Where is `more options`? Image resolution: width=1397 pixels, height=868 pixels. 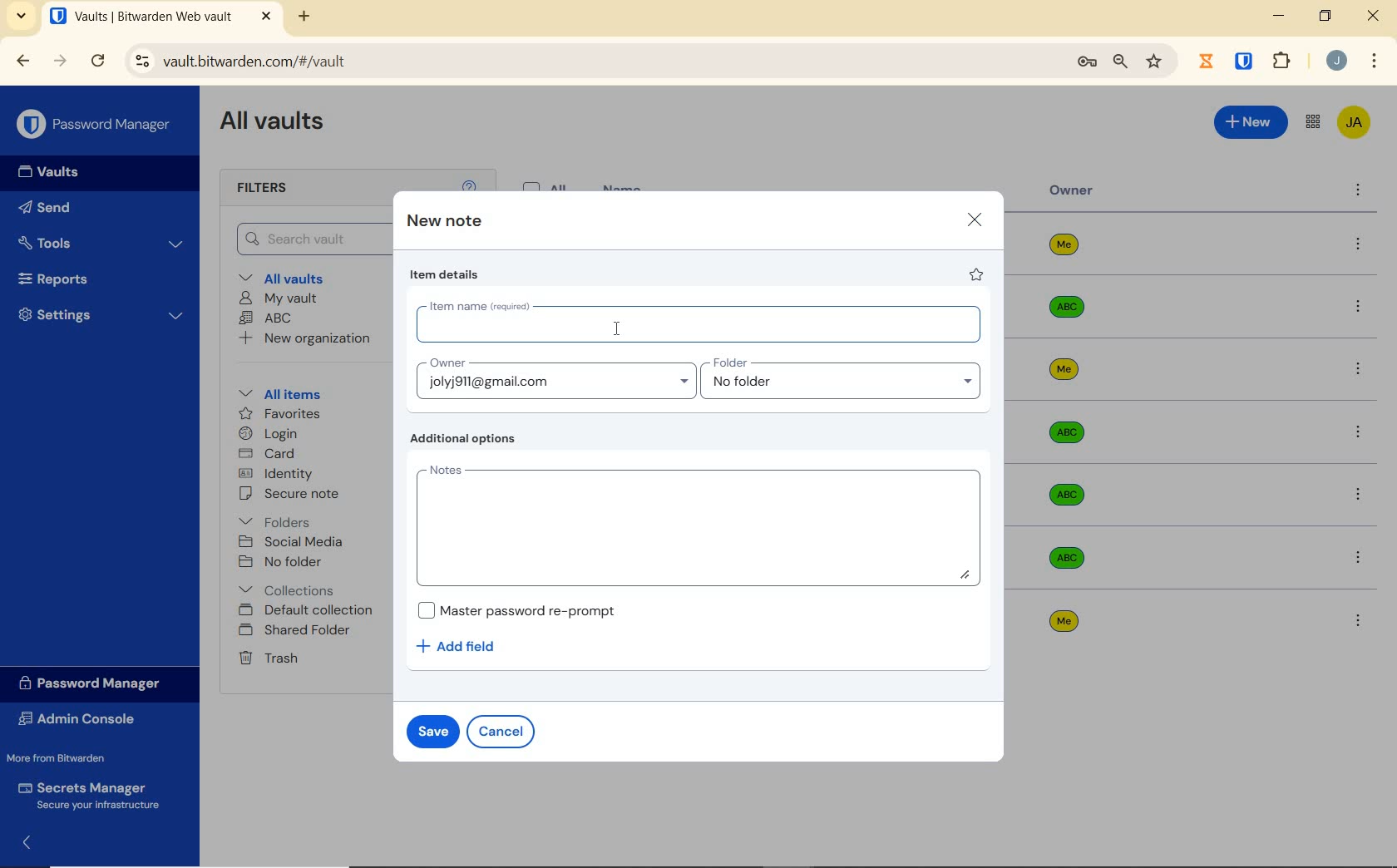
more options is located at coordinates (1358, 620).